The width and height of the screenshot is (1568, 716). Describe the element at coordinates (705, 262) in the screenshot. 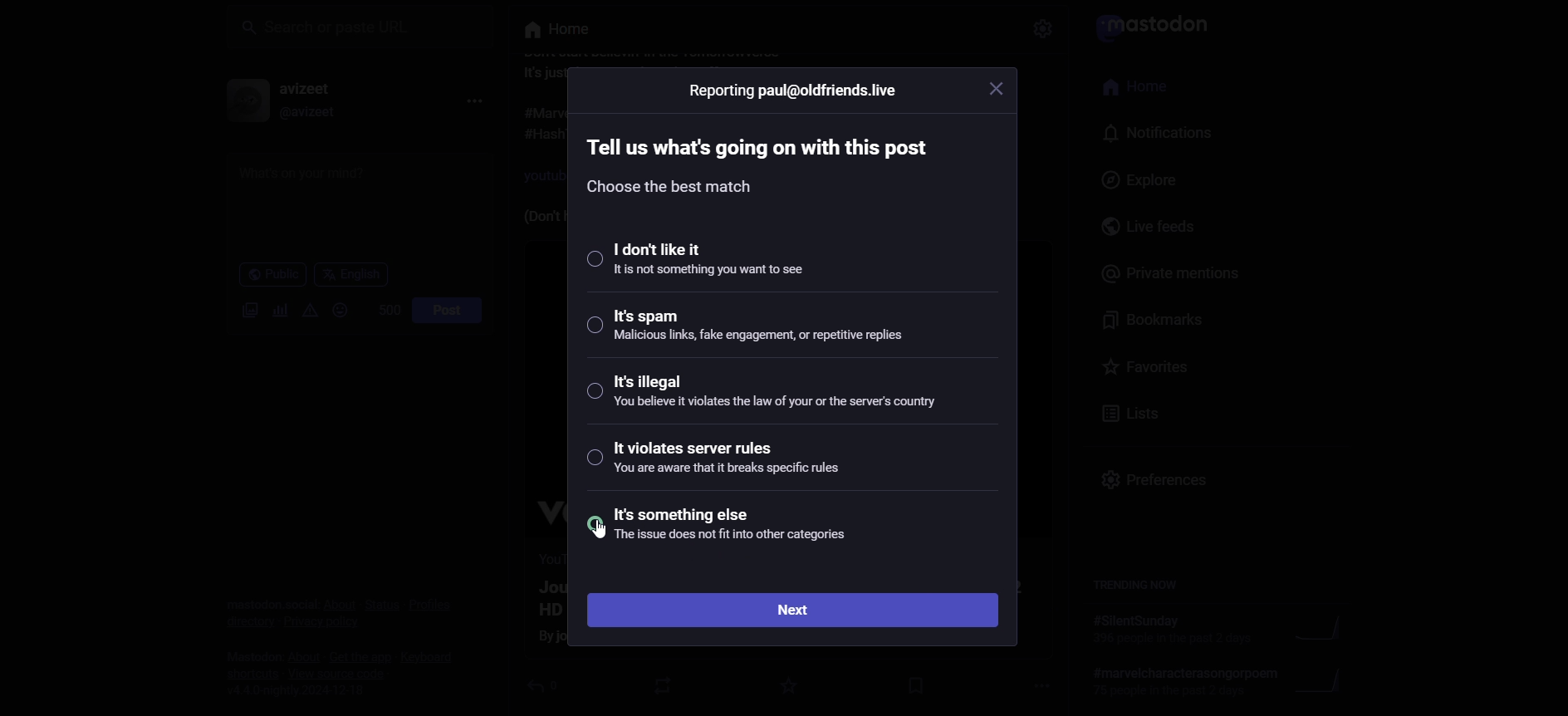

I see `I dont like it` at that location.